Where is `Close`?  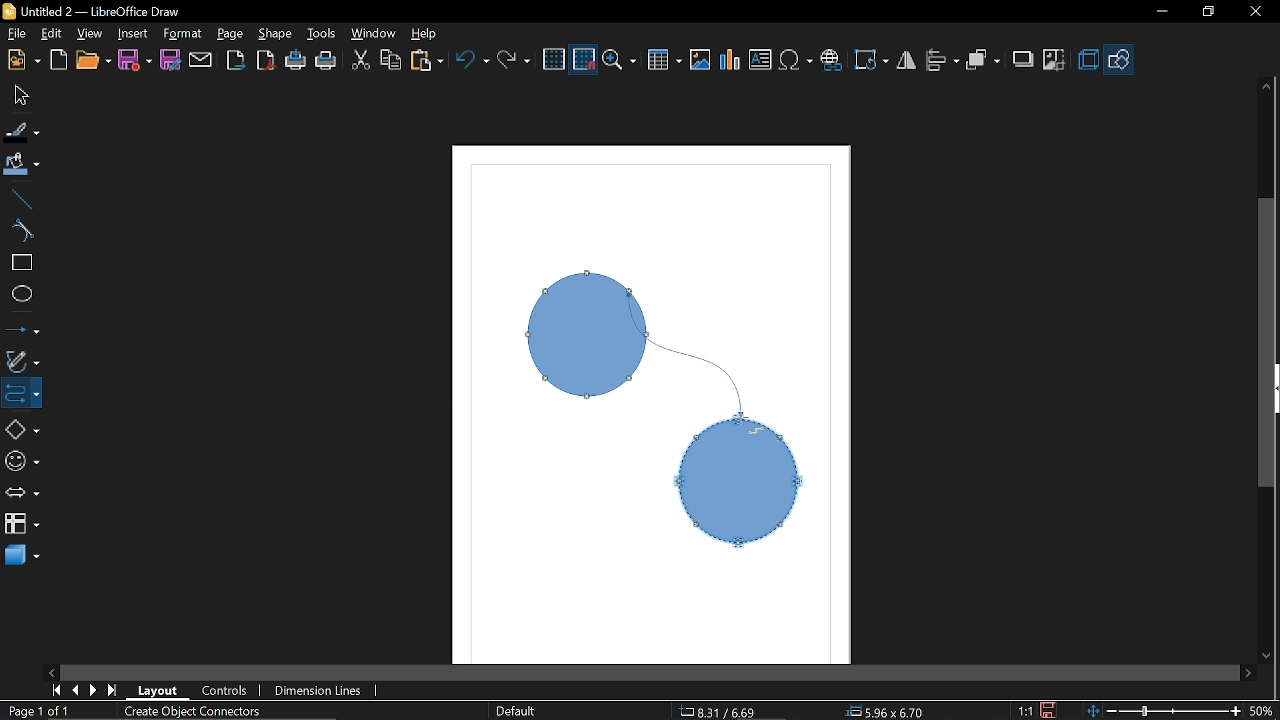
Close is located at coordinates (1254, 13).